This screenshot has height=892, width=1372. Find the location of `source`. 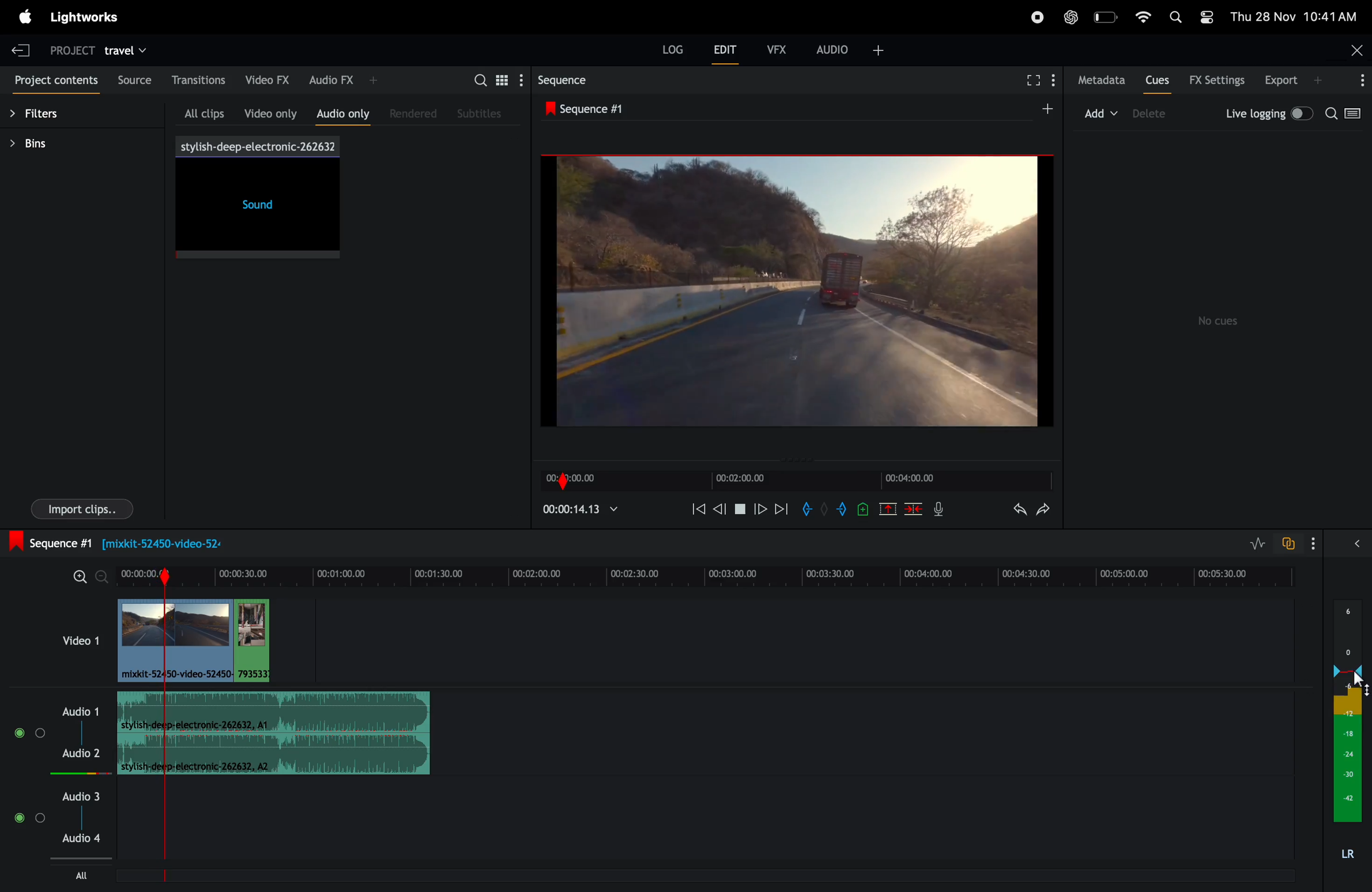

source is located at coordinates (131, 79).